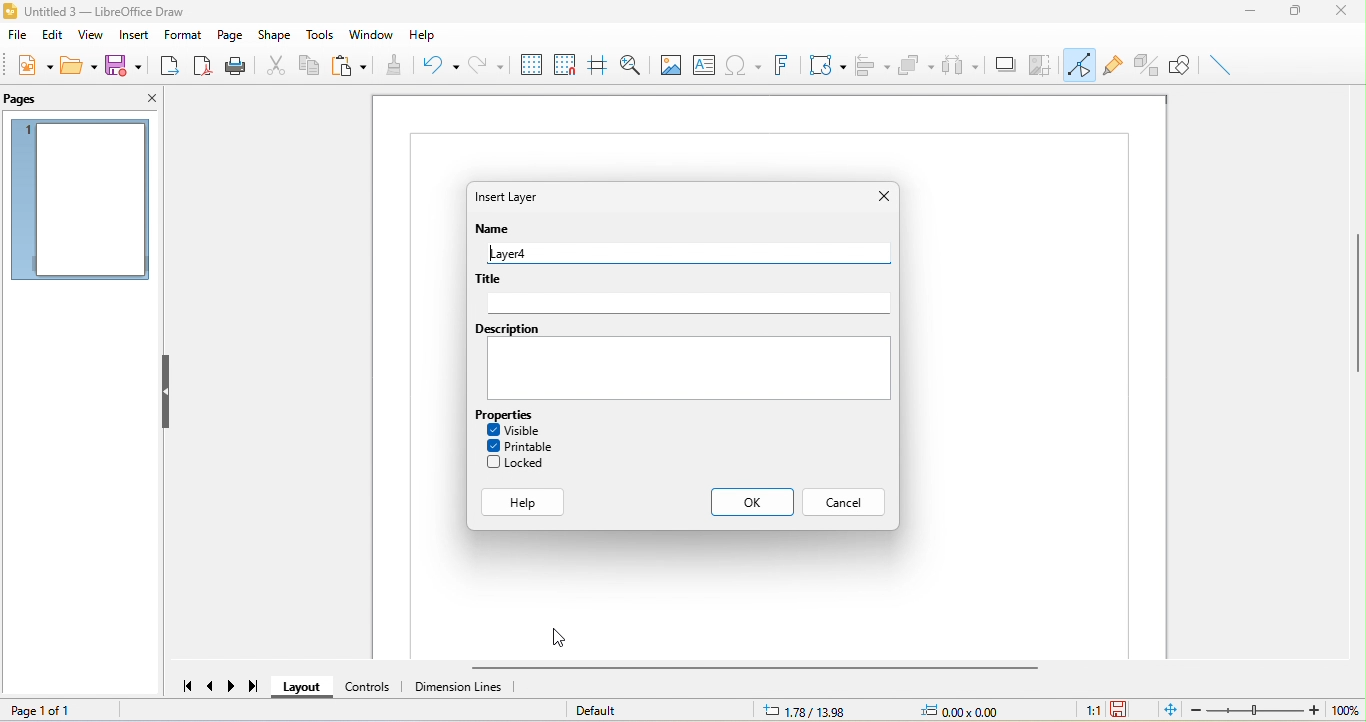 This screenshot has width=1366, height=722. Describe the element at coordinates (632, 65) in the screenshot. I see `zoom and pan` at that location.